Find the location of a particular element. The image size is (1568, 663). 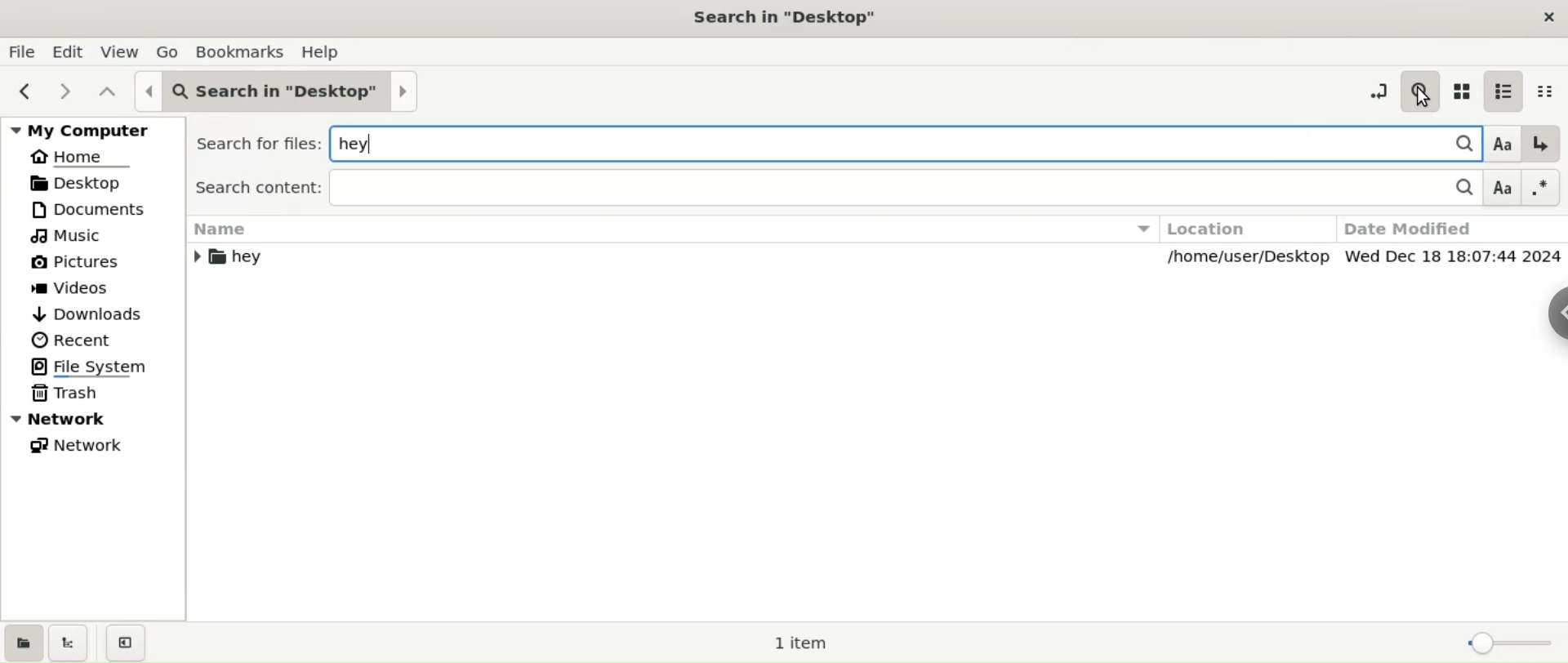

edit is located at coordinates (69, 51).